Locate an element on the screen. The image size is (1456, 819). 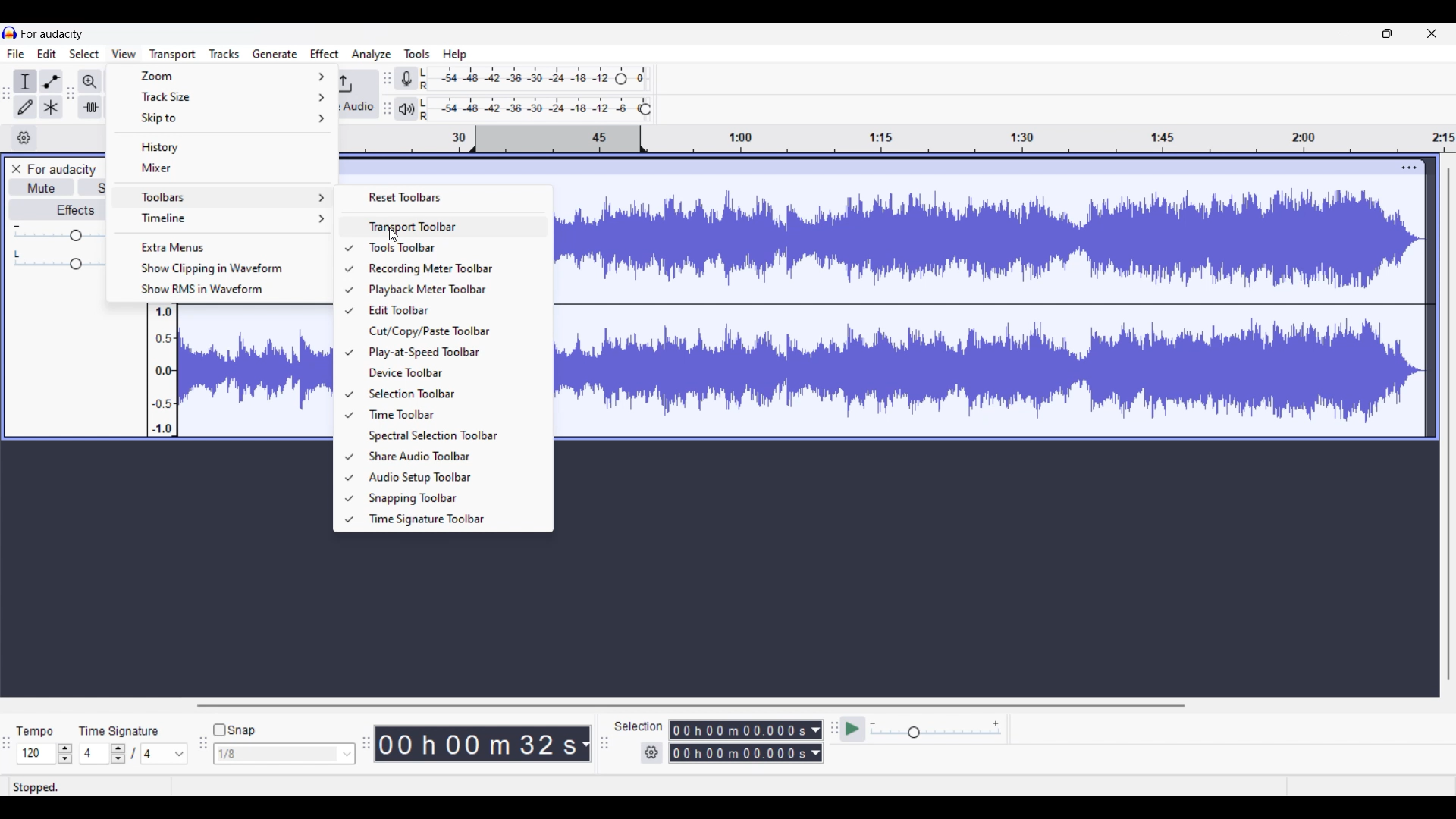
Close interface is located at coordinates (1432, 33).